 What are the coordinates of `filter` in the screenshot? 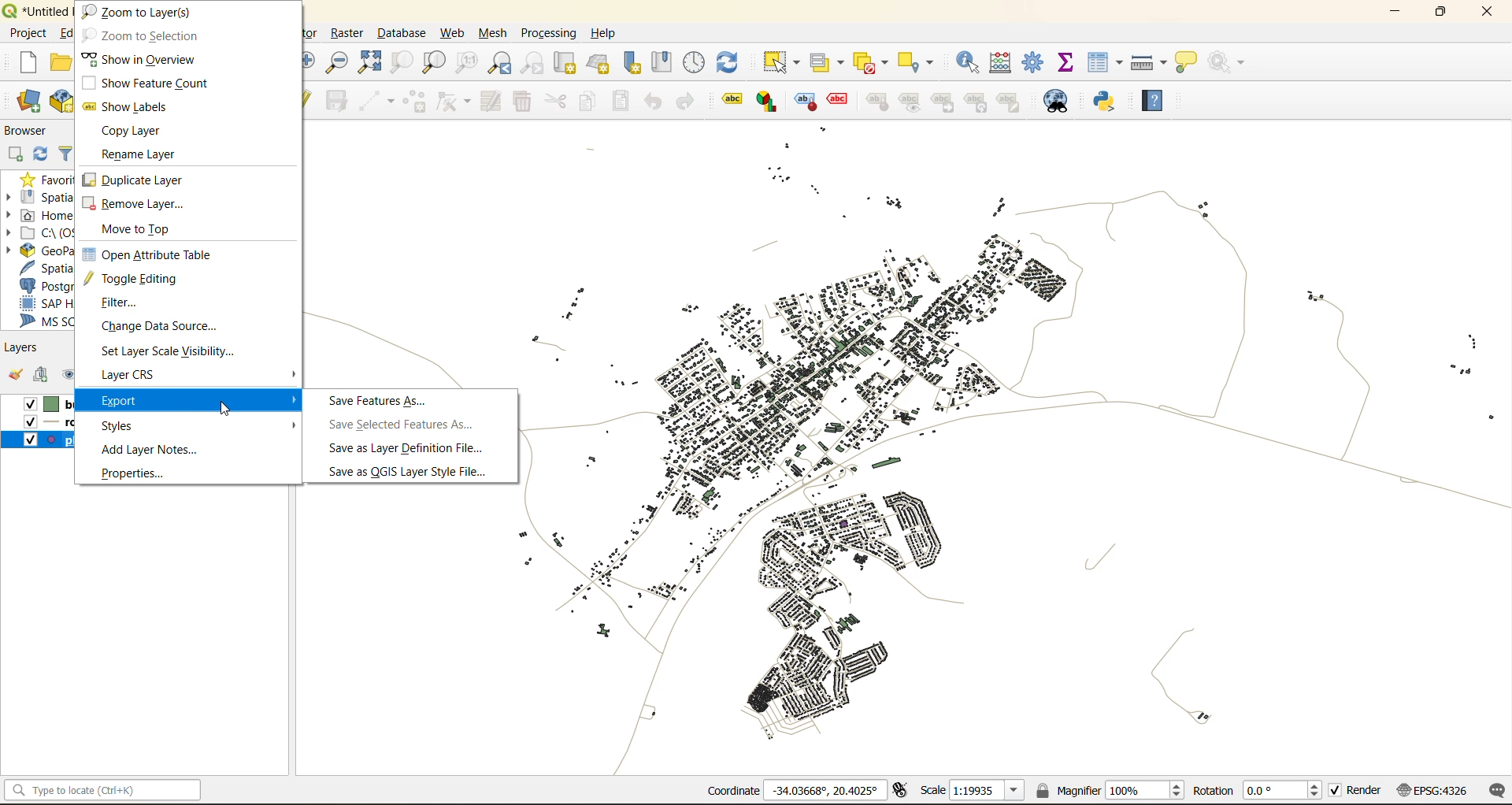 It's located at (132, 303).